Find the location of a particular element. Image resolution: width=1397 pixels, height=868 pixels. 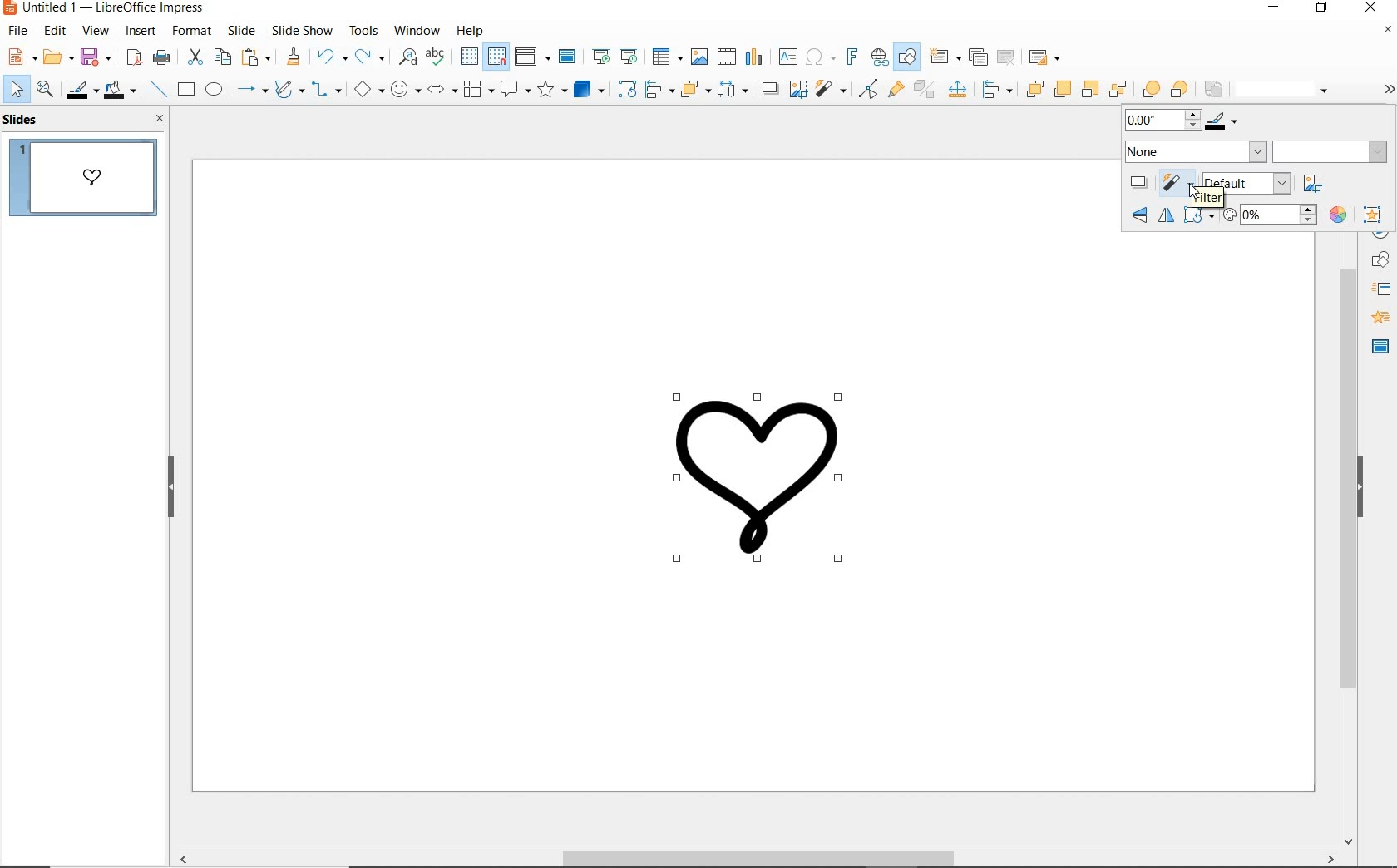

find and replace is located at coordinates (408, 58).